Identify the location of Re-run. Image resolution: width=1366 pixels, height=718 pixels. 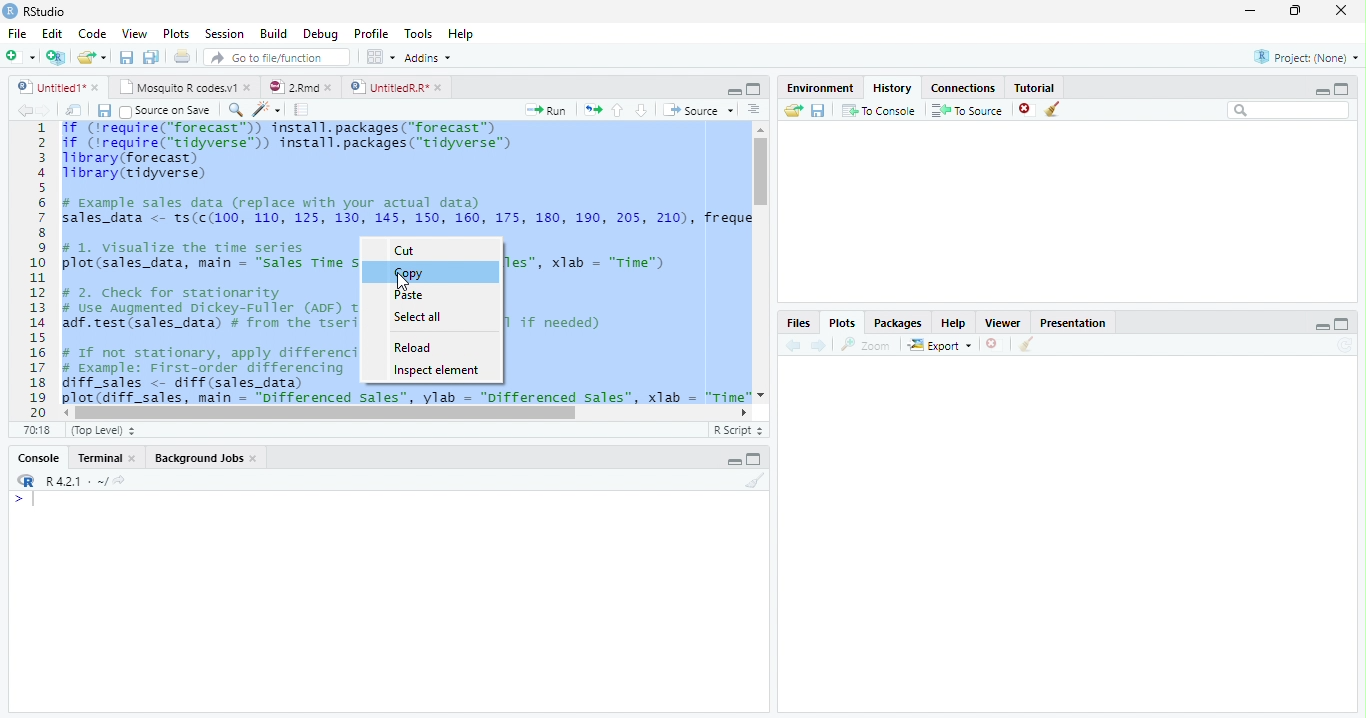
(591, 110).